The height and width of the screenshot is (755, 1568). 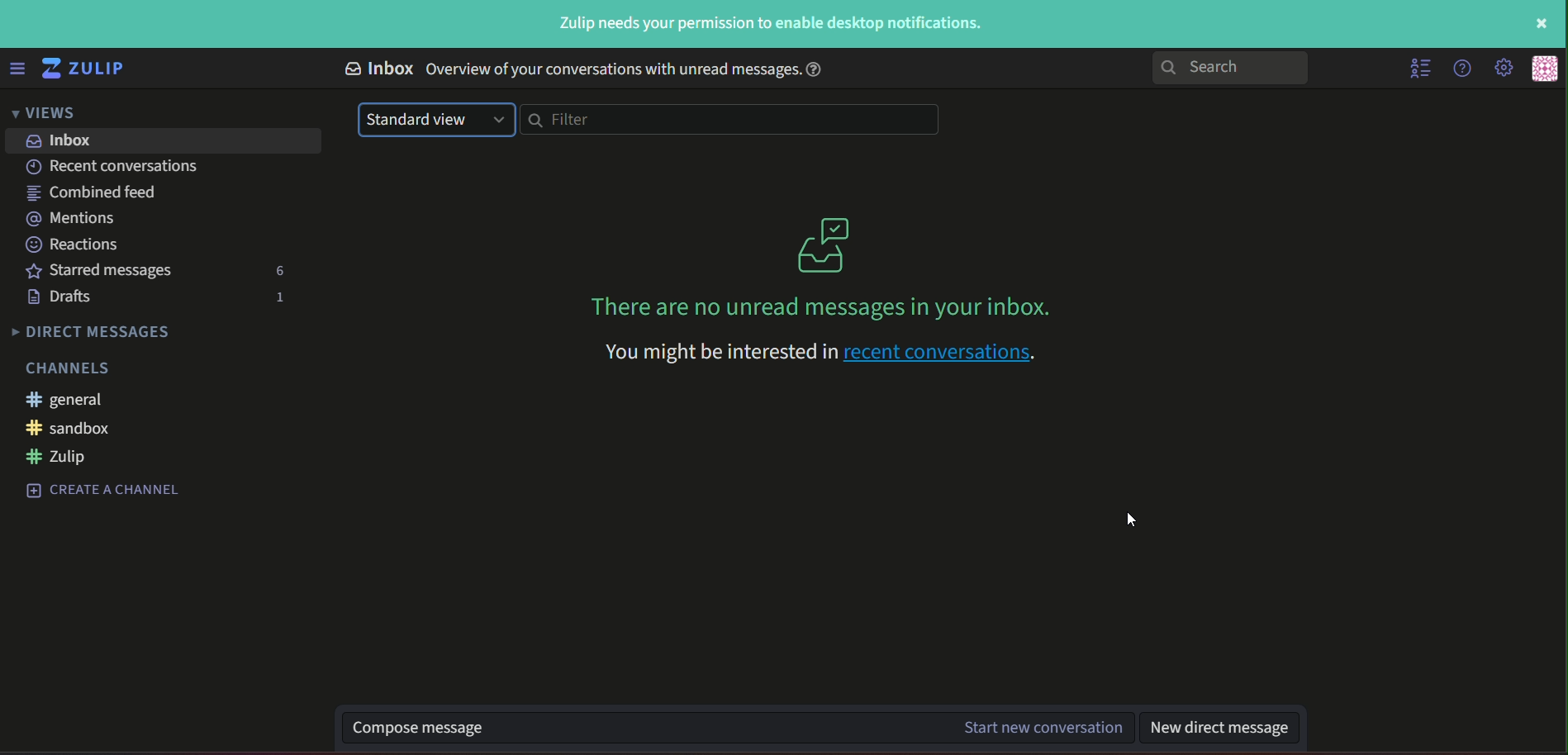 I want to click on text, so click(x=831, y=334).